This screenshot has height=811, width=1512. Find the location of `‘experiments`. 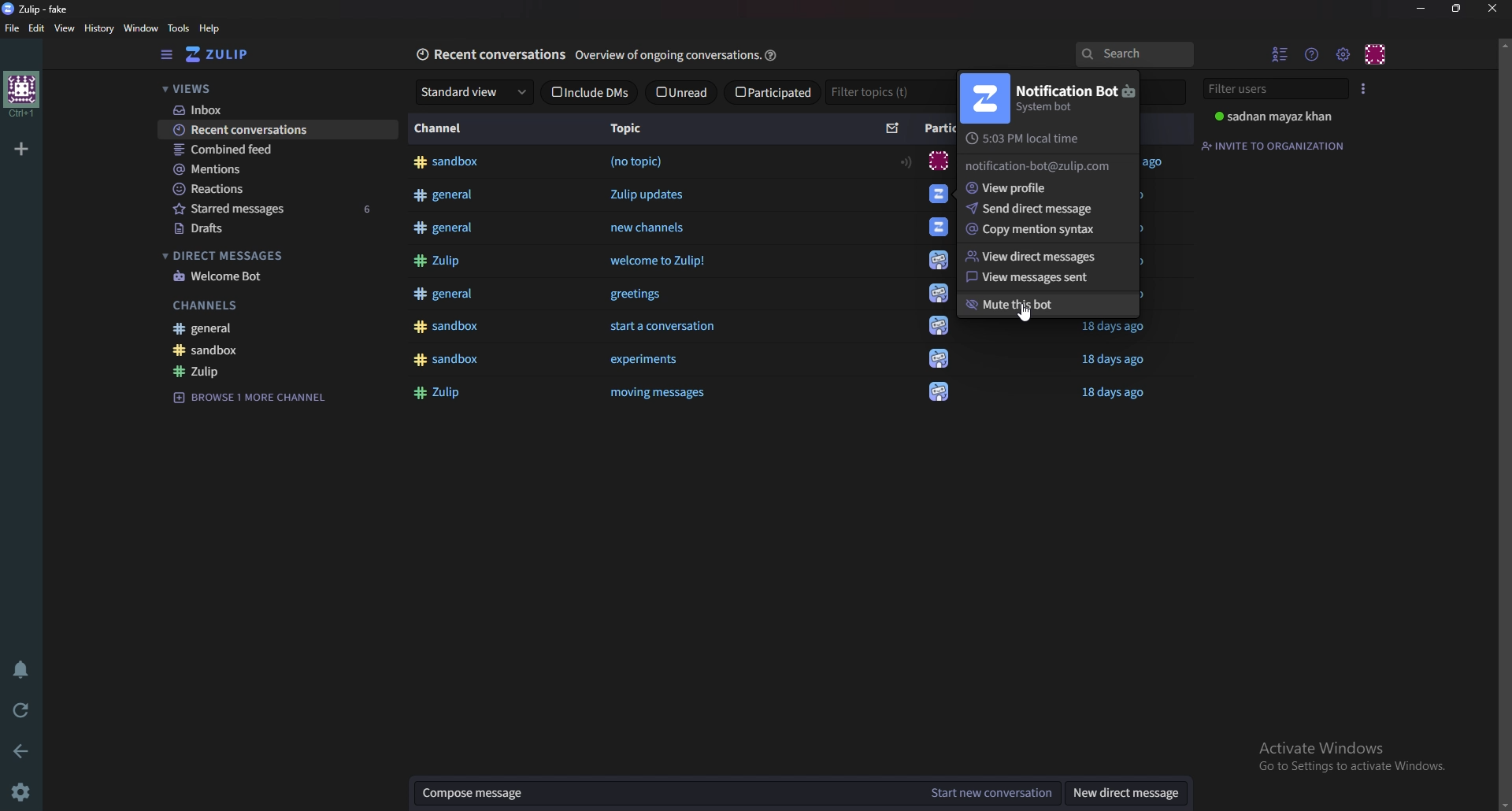

‘experiments is located at coordinates (642, 360).